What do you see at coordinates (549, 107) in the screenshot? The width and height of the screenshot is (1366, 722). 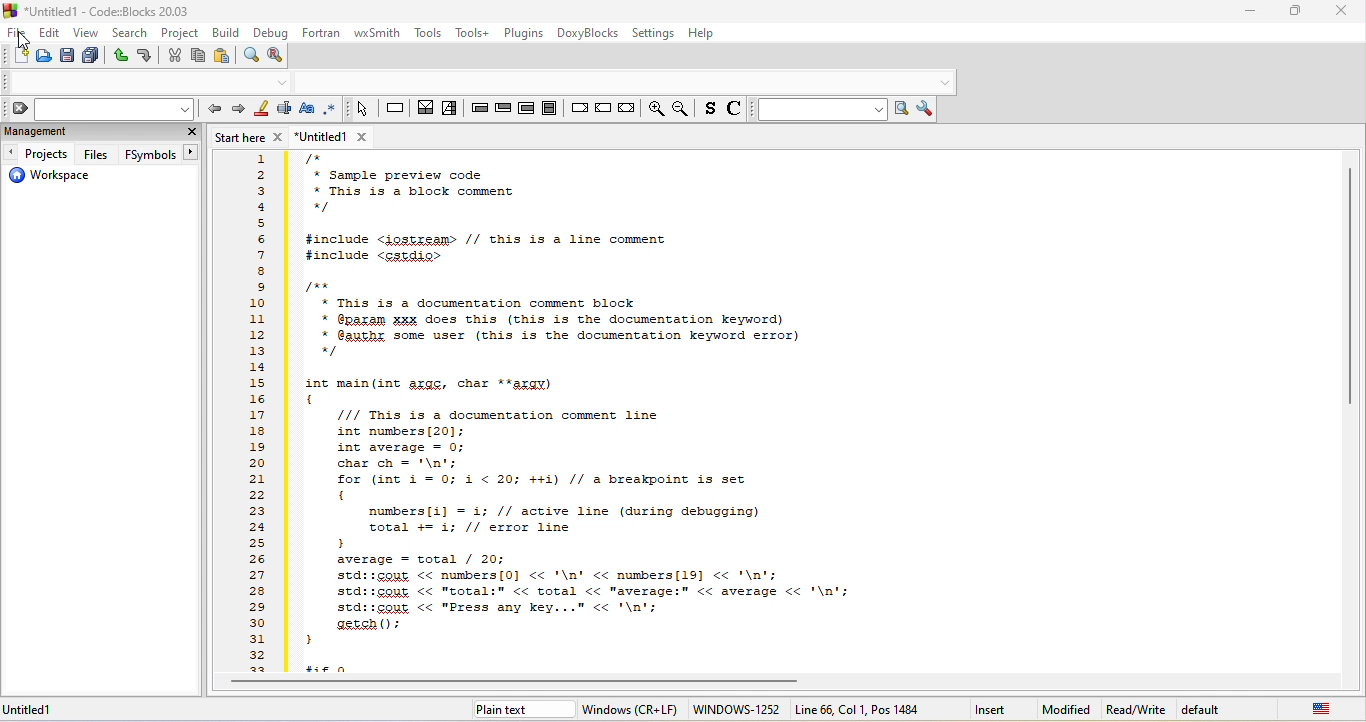 I see `block` at bounding box center [549, 107].